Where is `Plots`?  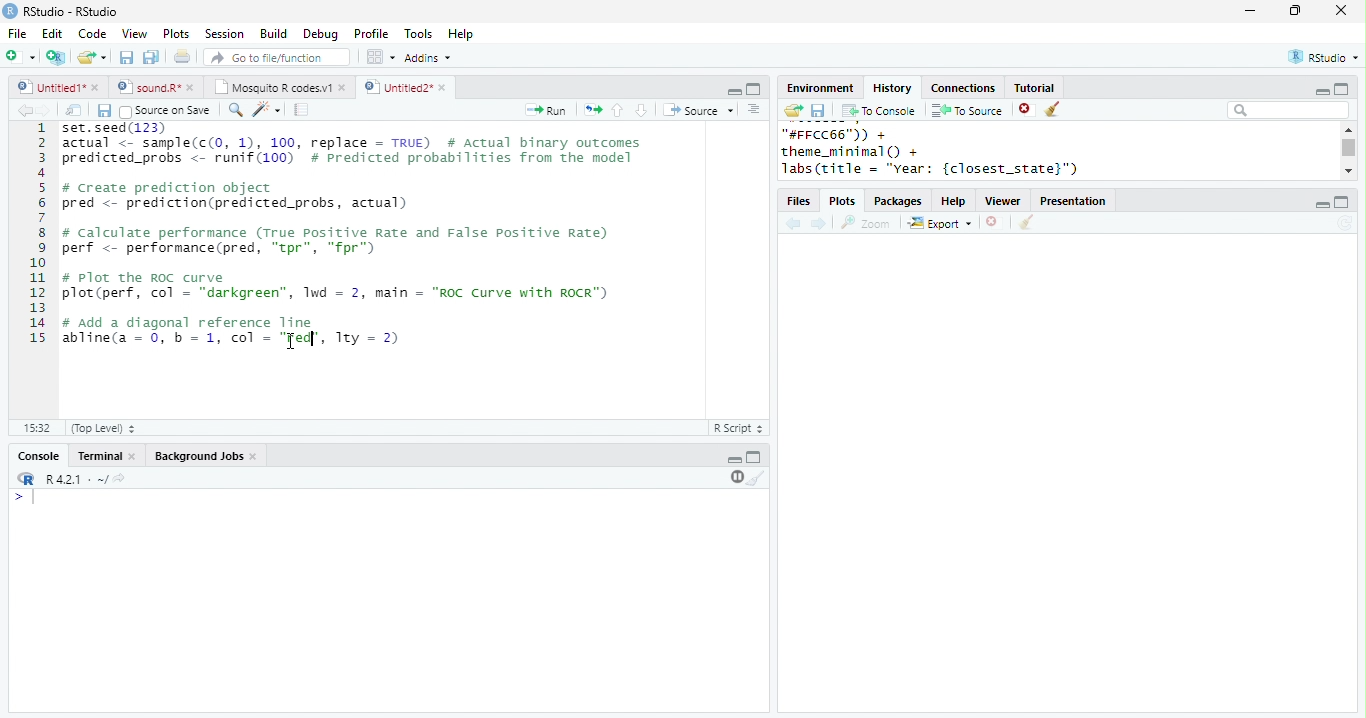
Plots is located at coordinates (844, 202).